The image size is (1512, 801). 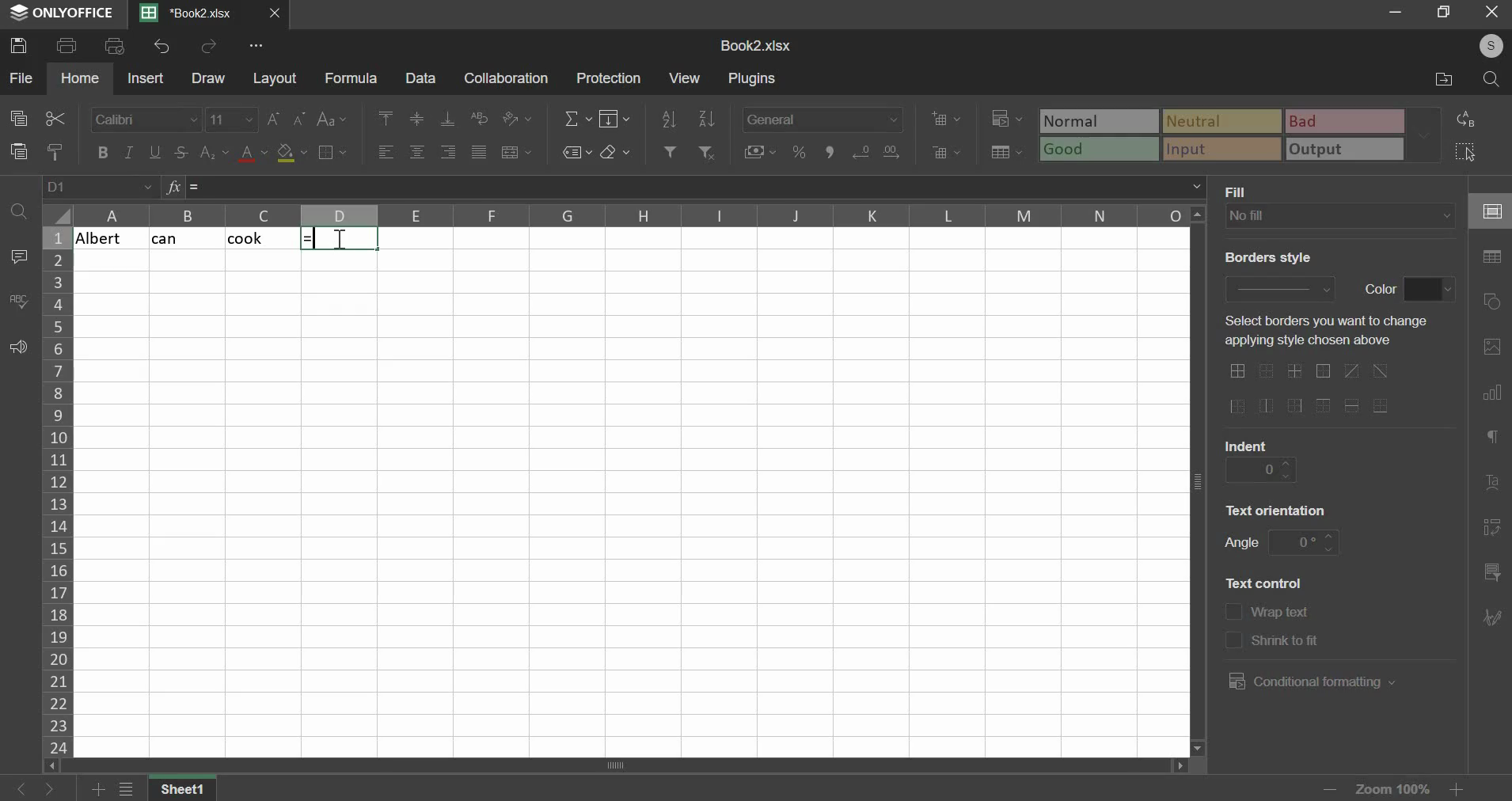 What do you see at coordinates (612, 78) in the screenshot?
I see `protection` at bounding box center [612, 78].